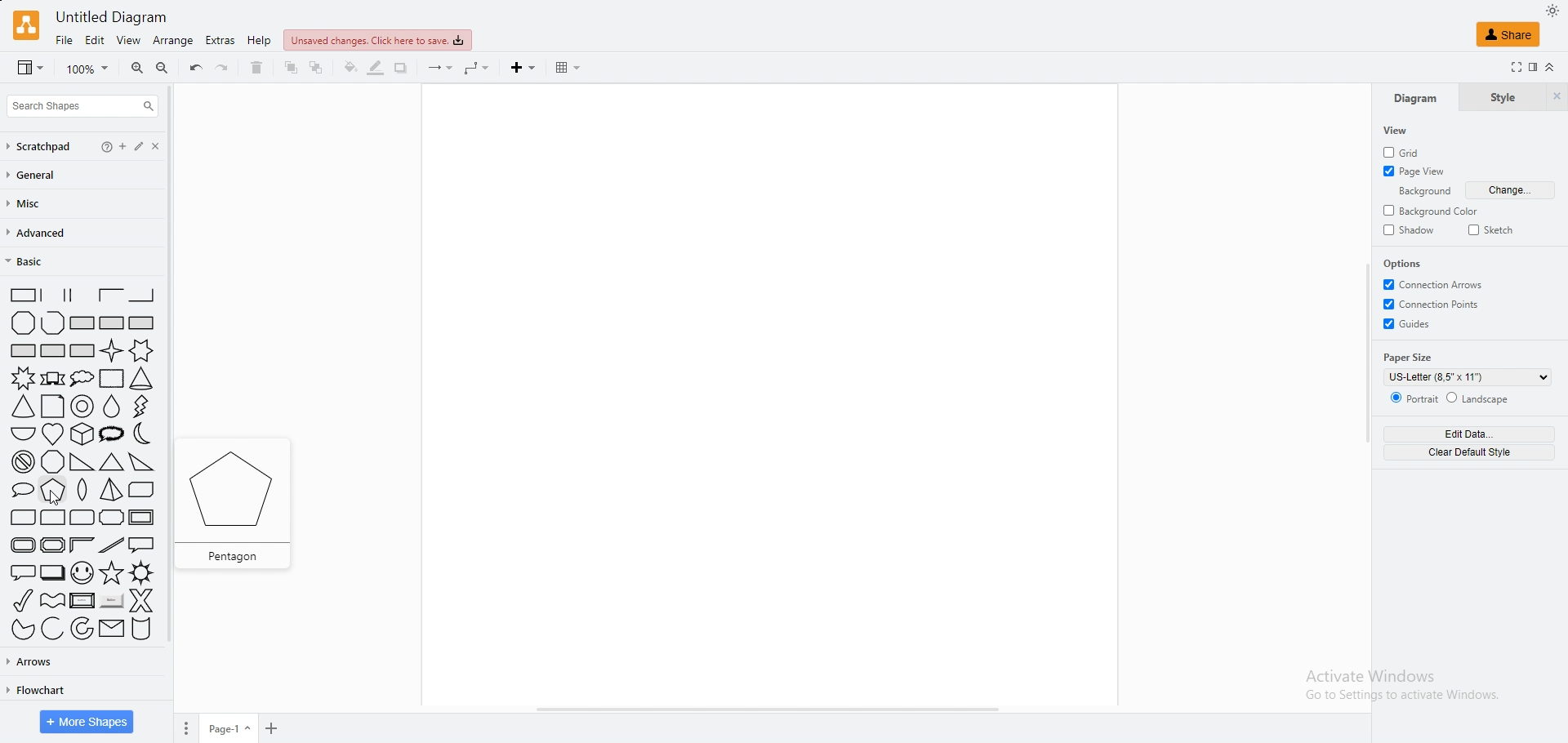  What do you see at coordinates (1532, 67) in the screenshot?
I see `format` at bounding box center [1532, 67].